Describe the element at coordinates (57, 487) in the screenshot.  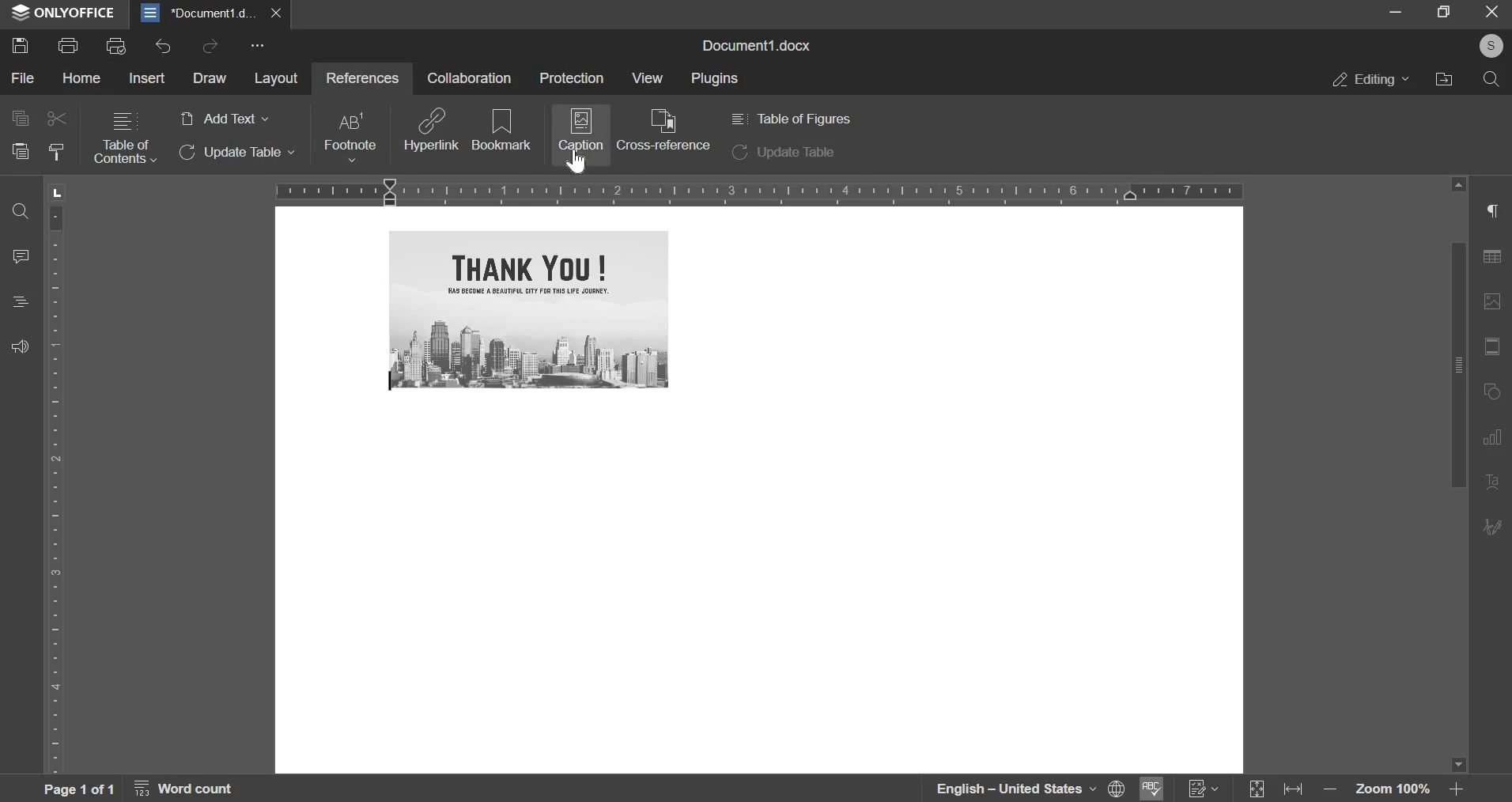
I see `vertical scale` at that location.